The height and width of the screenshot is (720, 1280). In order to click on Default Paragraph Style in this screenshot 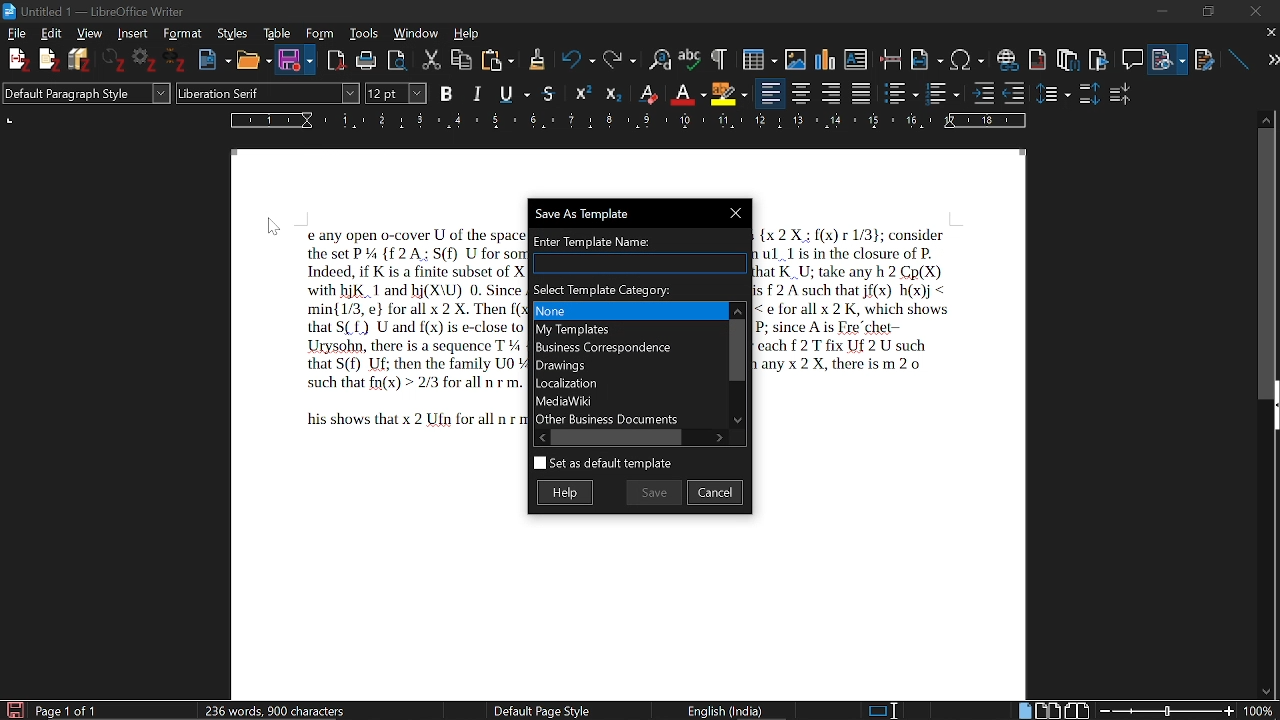, I will do `click(84, 95)`.